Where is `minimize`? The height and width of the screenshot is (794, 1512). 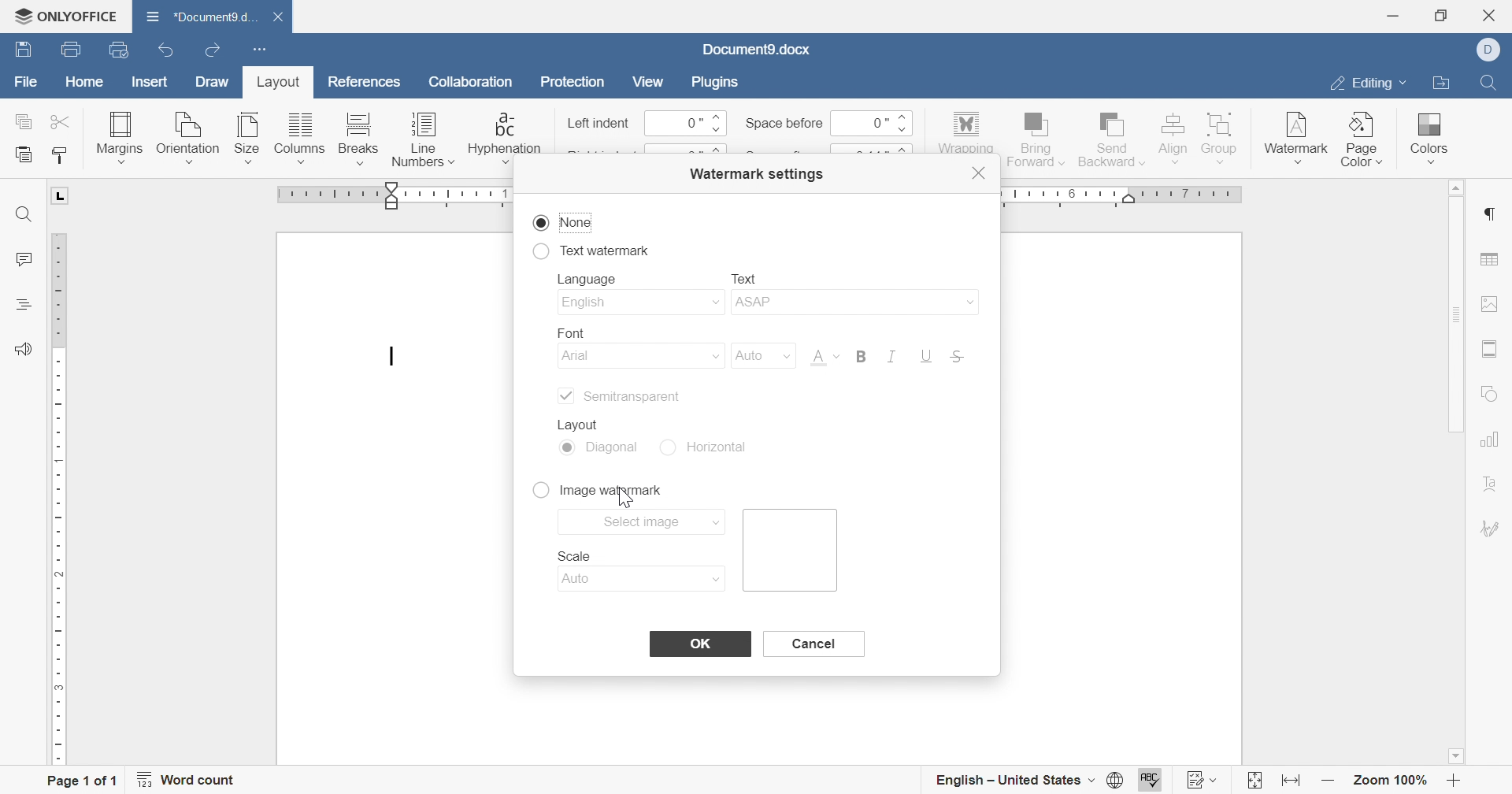 minimize is located at coordinates (1392, 16).